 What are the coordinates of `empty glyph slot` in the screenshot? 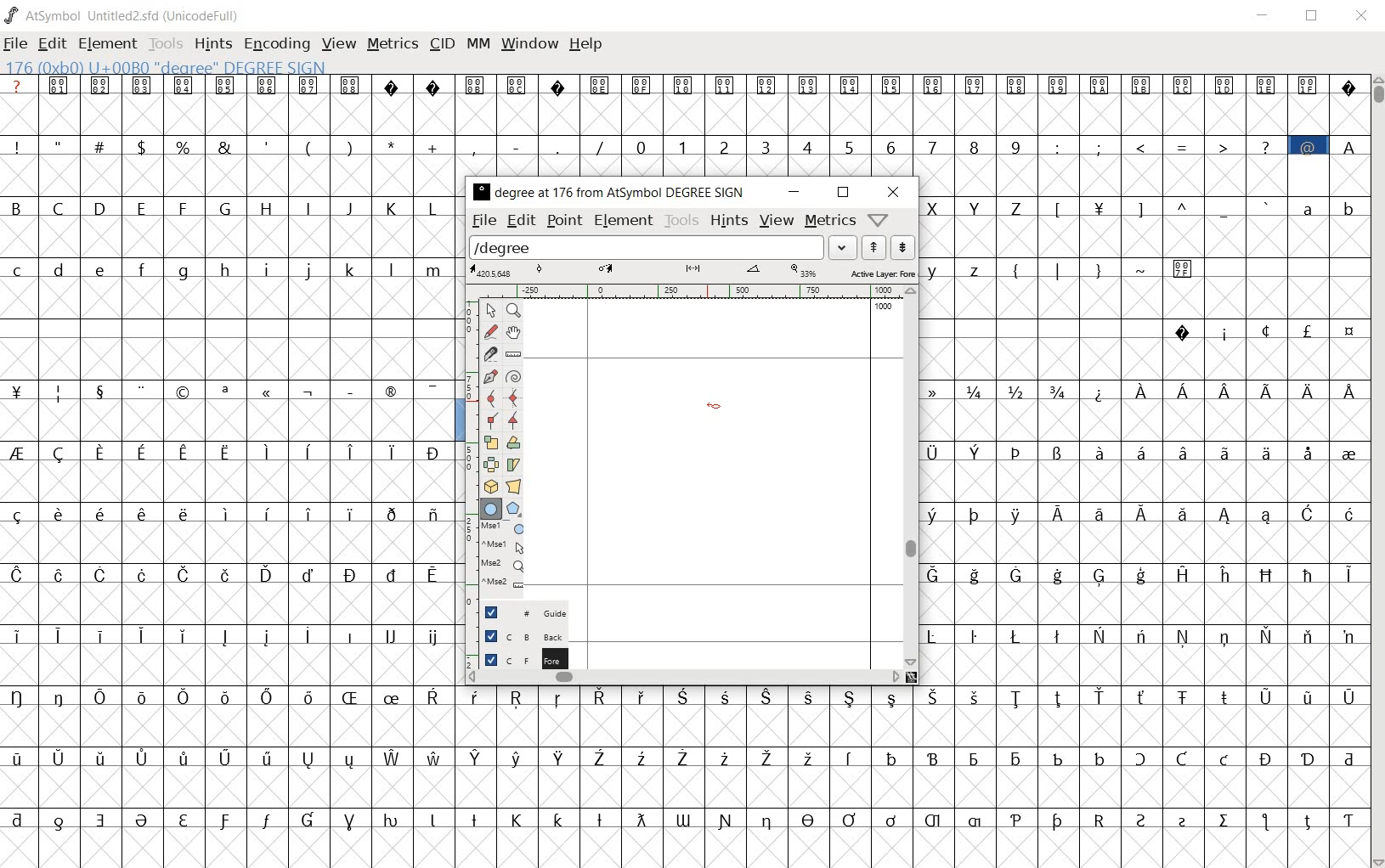 It's located at (681, 847).